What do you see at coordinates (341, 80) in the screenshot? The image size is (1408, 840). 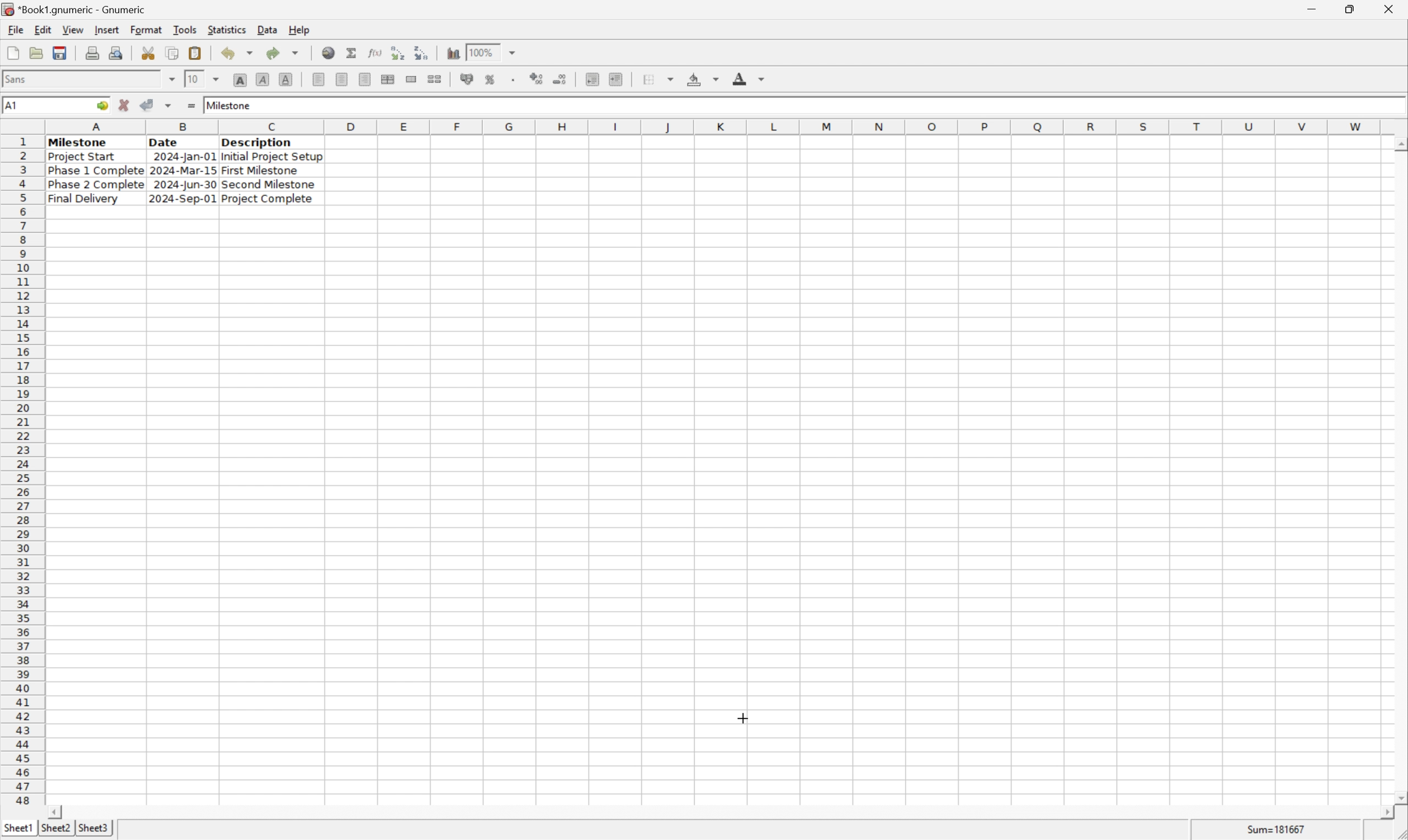 I see `center horizontally` at bounding box center [341, 80].